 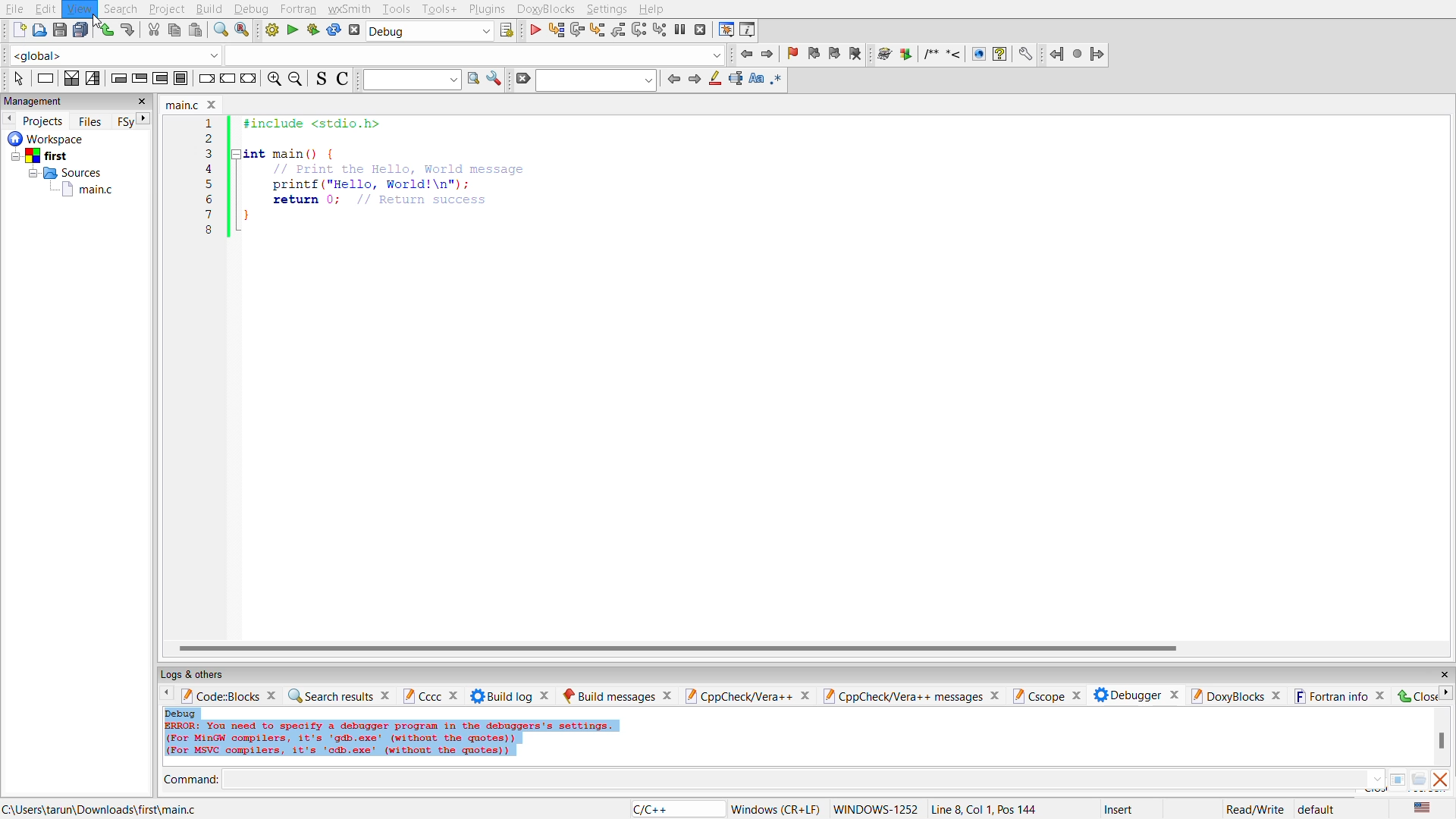 I want to click on line number, so click(x=206, y=177).